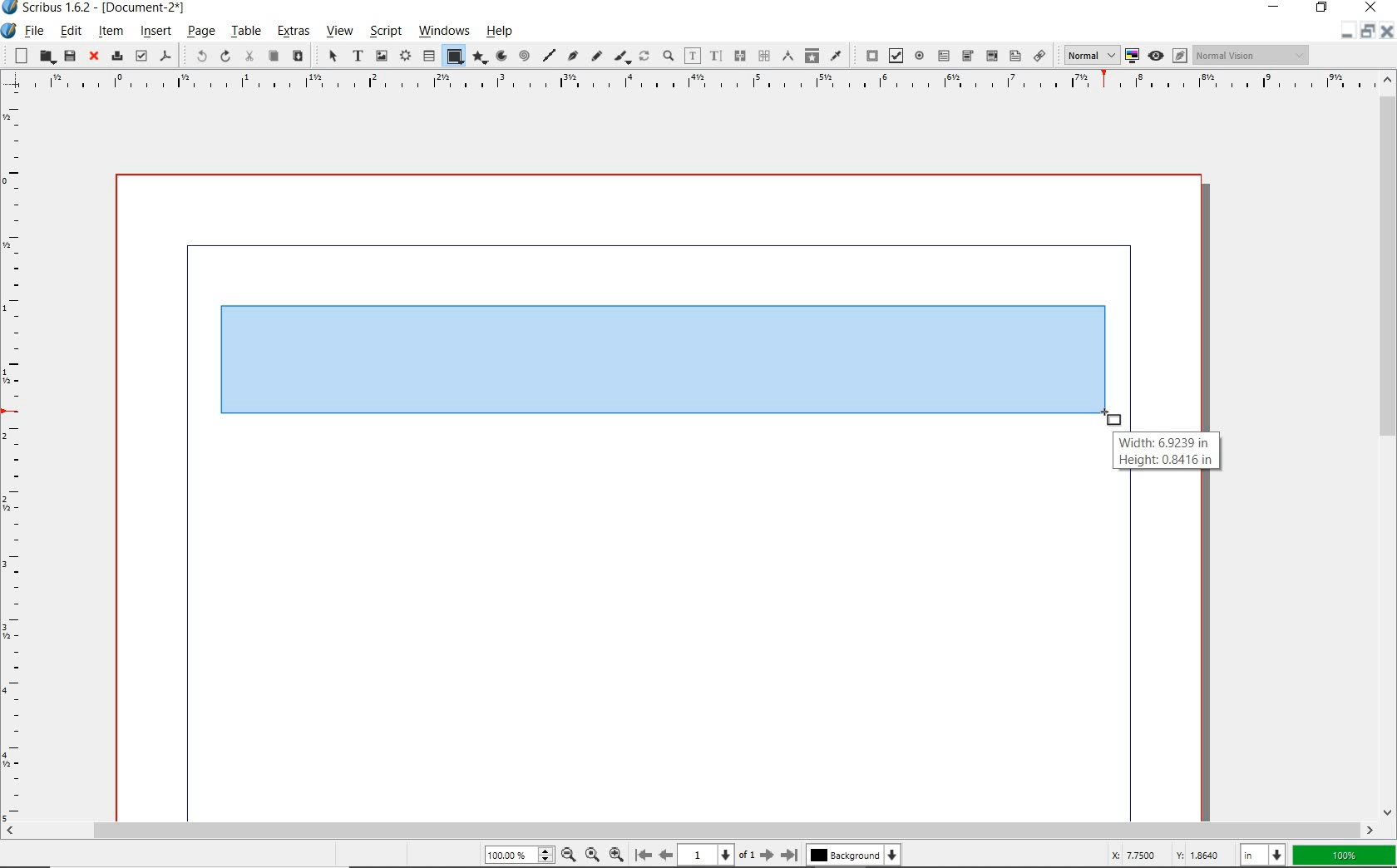 This screenshot has height=868, width=1397. I want to click on spiral, so click(526, 56).